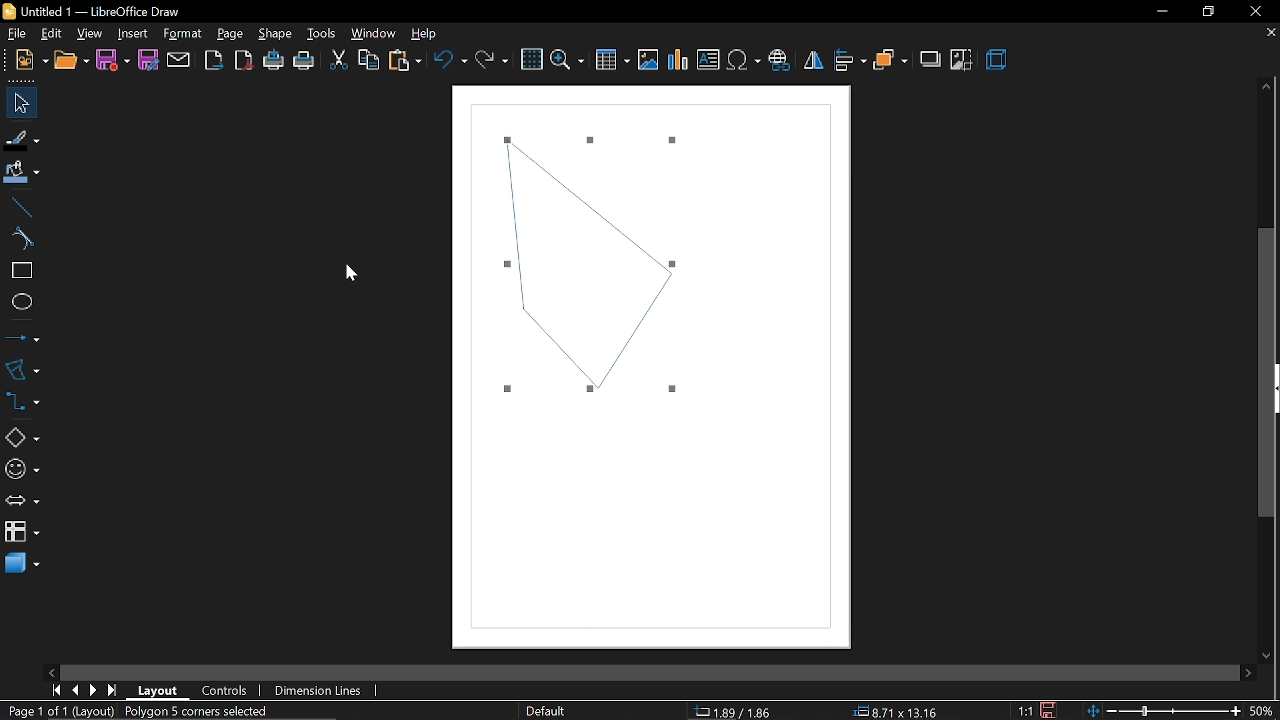 The width and height of the screenshot is (1280, 720). What do you see at coordinates (18, 304) in the screenshot?
I see `ellipse` at bounding box center [18, 304].